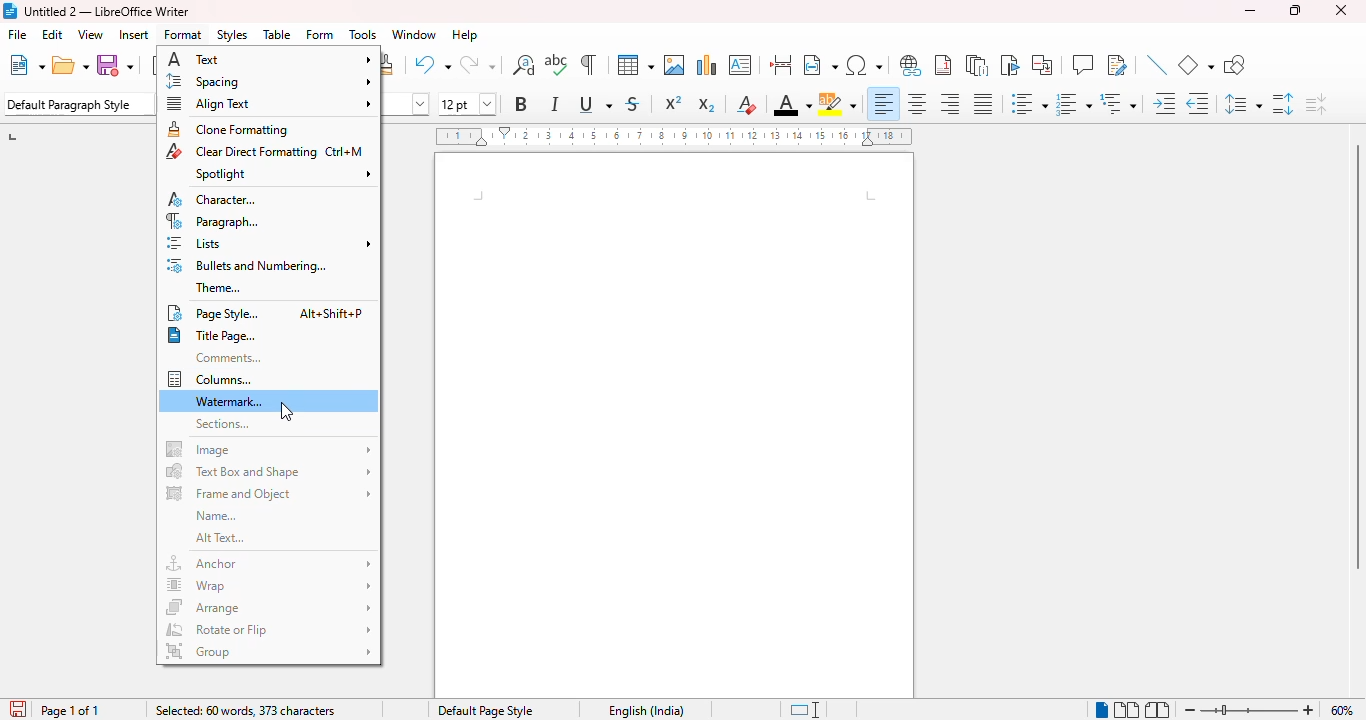  What do you see at coordinates (1316, 105) in the screenshot?
I see `decrease paragraph spacing` at bounding box center [1316, 105].